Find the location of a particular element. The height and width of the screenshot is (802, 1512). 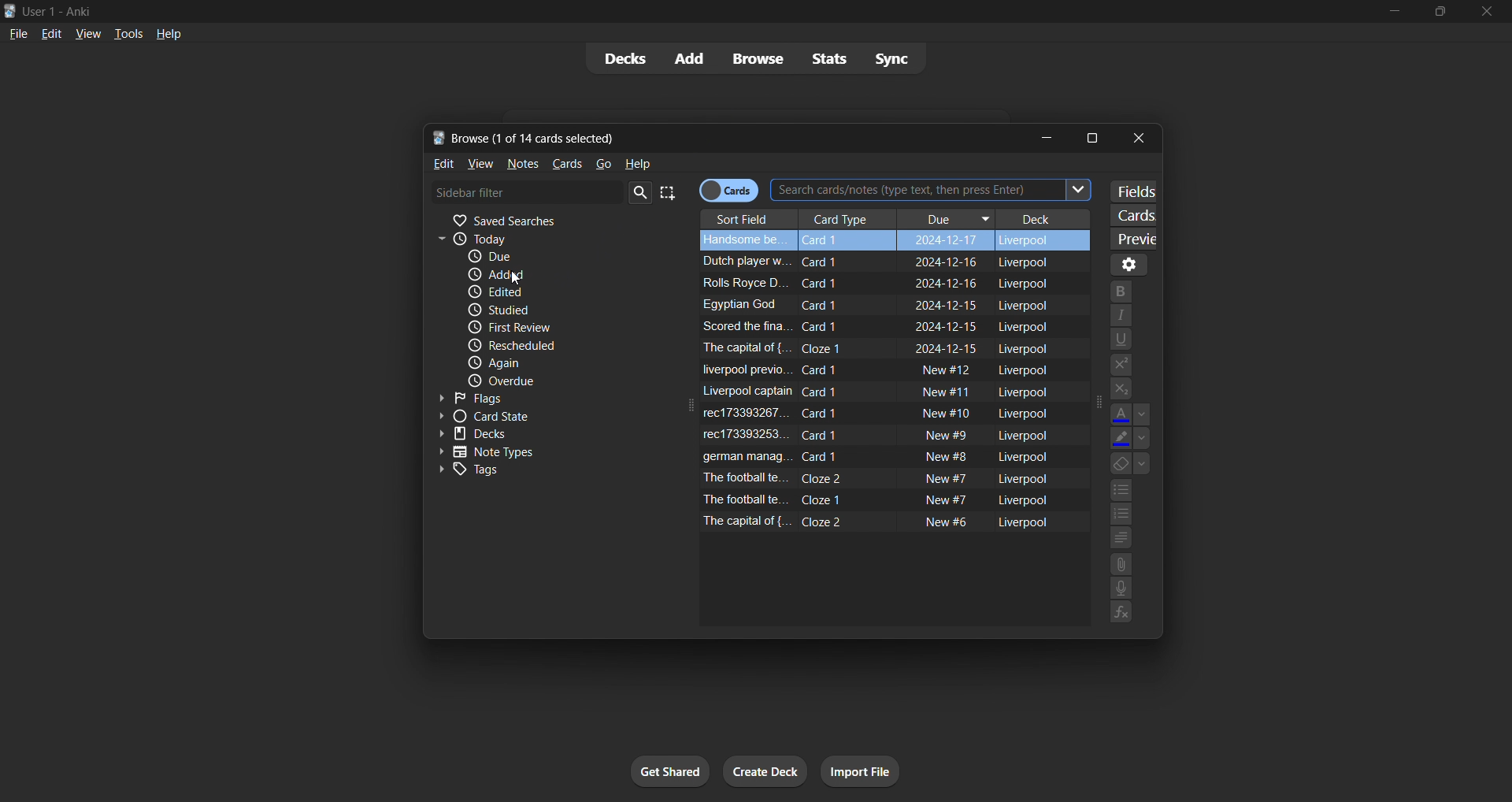

deck column is located at coordinates (1047, 213).